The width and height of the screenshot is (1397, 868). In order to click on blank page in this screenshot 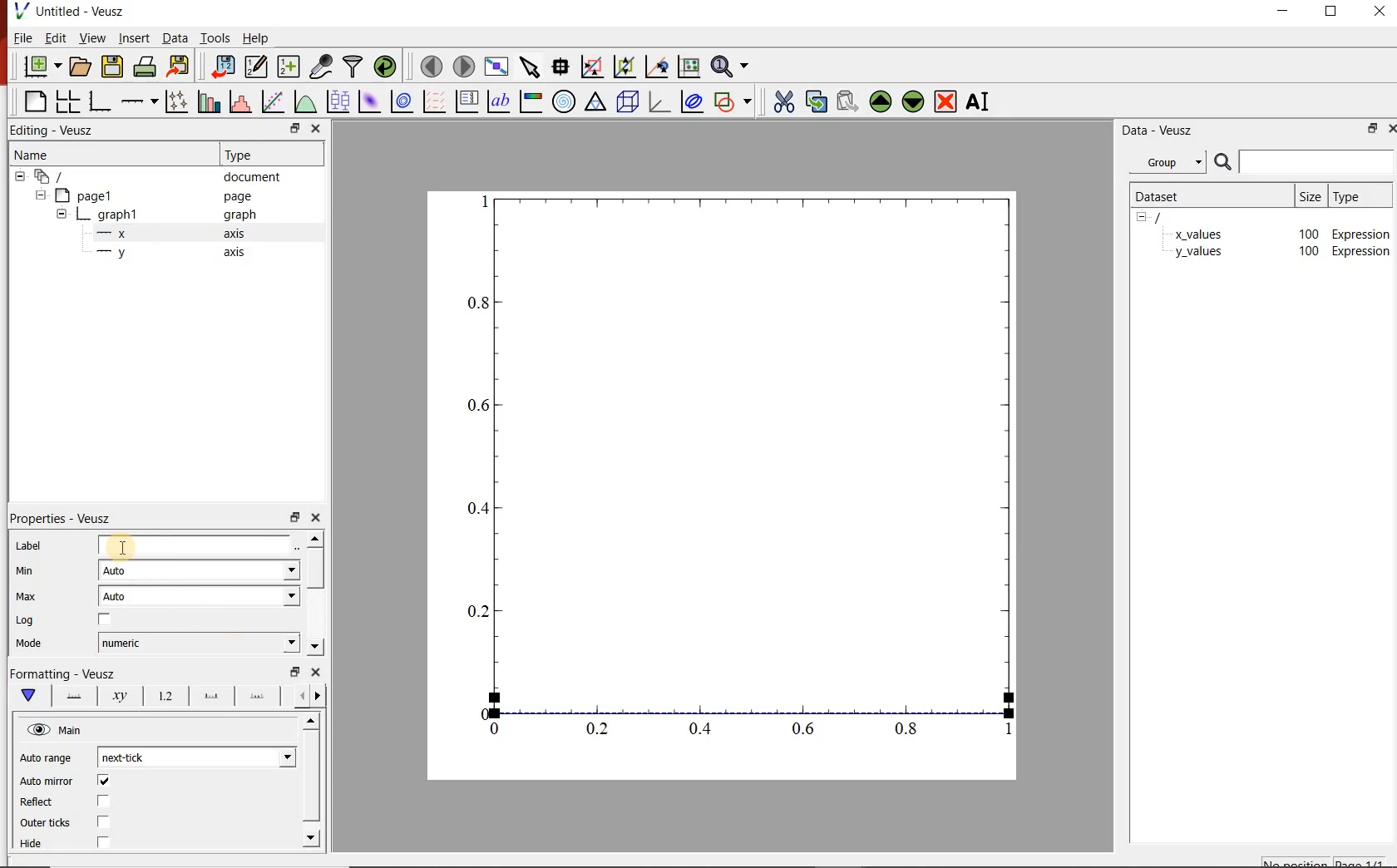, I will do `click(35, 101)`.